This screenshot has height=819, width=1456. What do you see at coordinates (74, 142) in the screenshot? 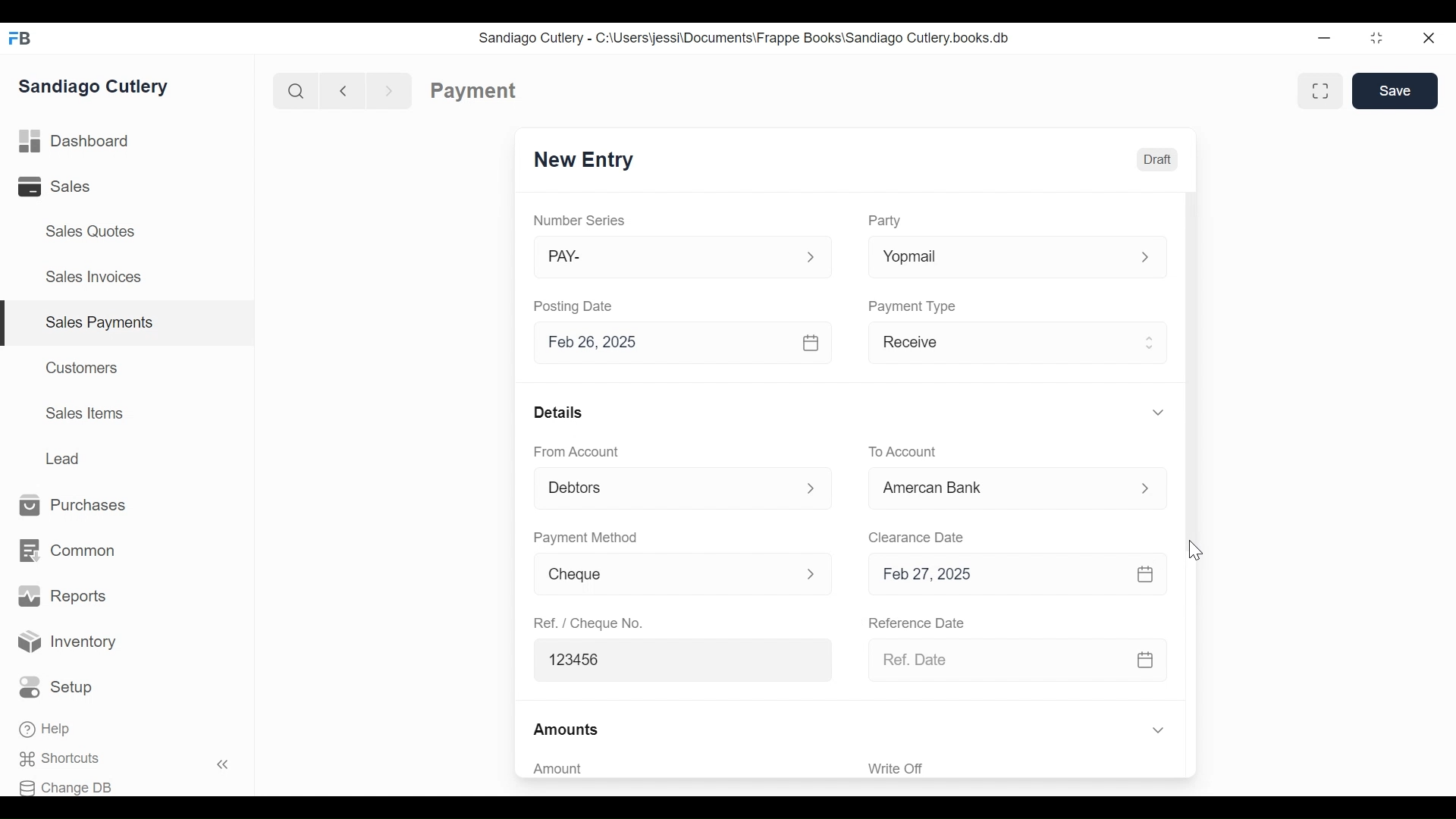
I see `Dashboard` at bounding box center [74, 142].